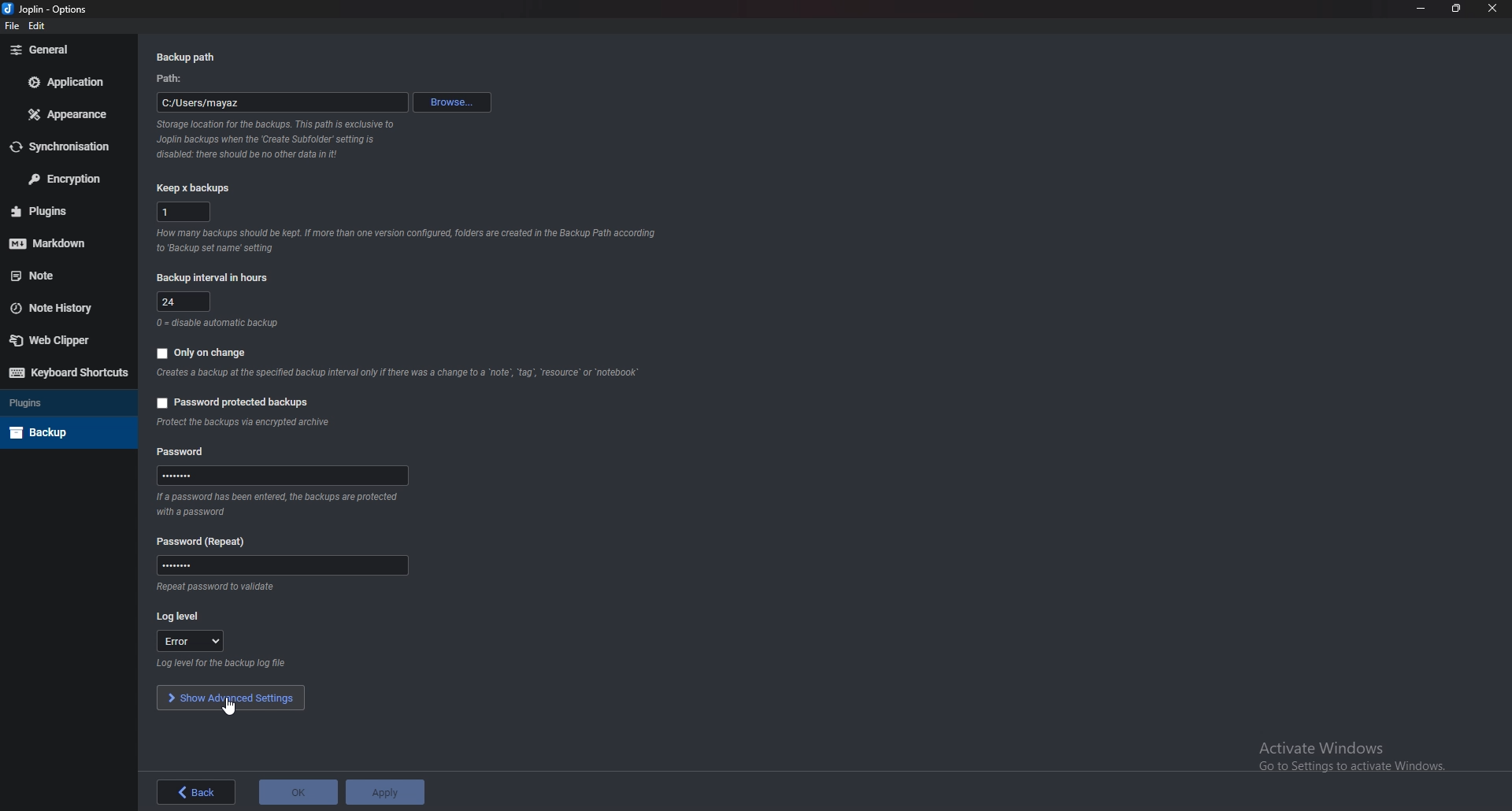 The height and width of the screenshot is (811, 1512). What do you see at coordinates (196, 187) in the screenshot?
I see `Keep x backups` at bounding box center [196, 187].